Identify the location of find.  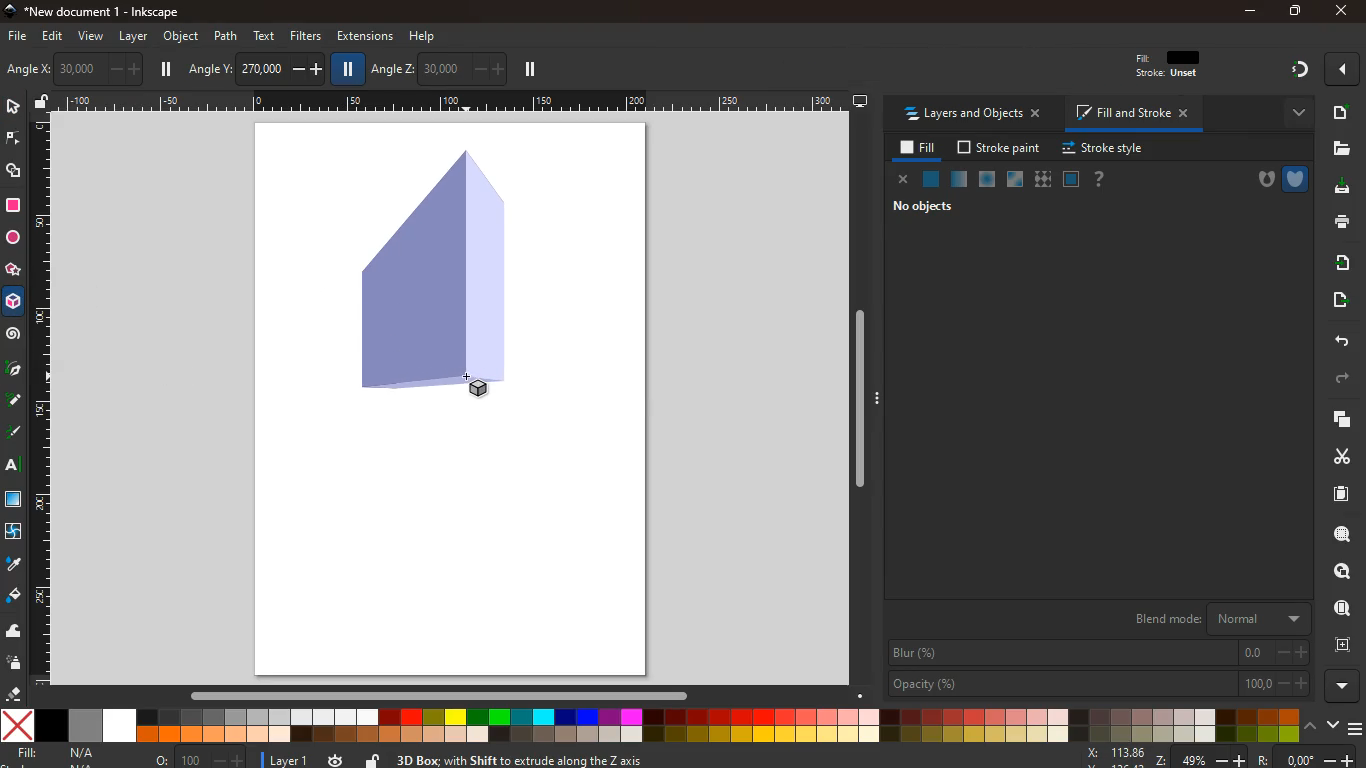
(1343, 571).